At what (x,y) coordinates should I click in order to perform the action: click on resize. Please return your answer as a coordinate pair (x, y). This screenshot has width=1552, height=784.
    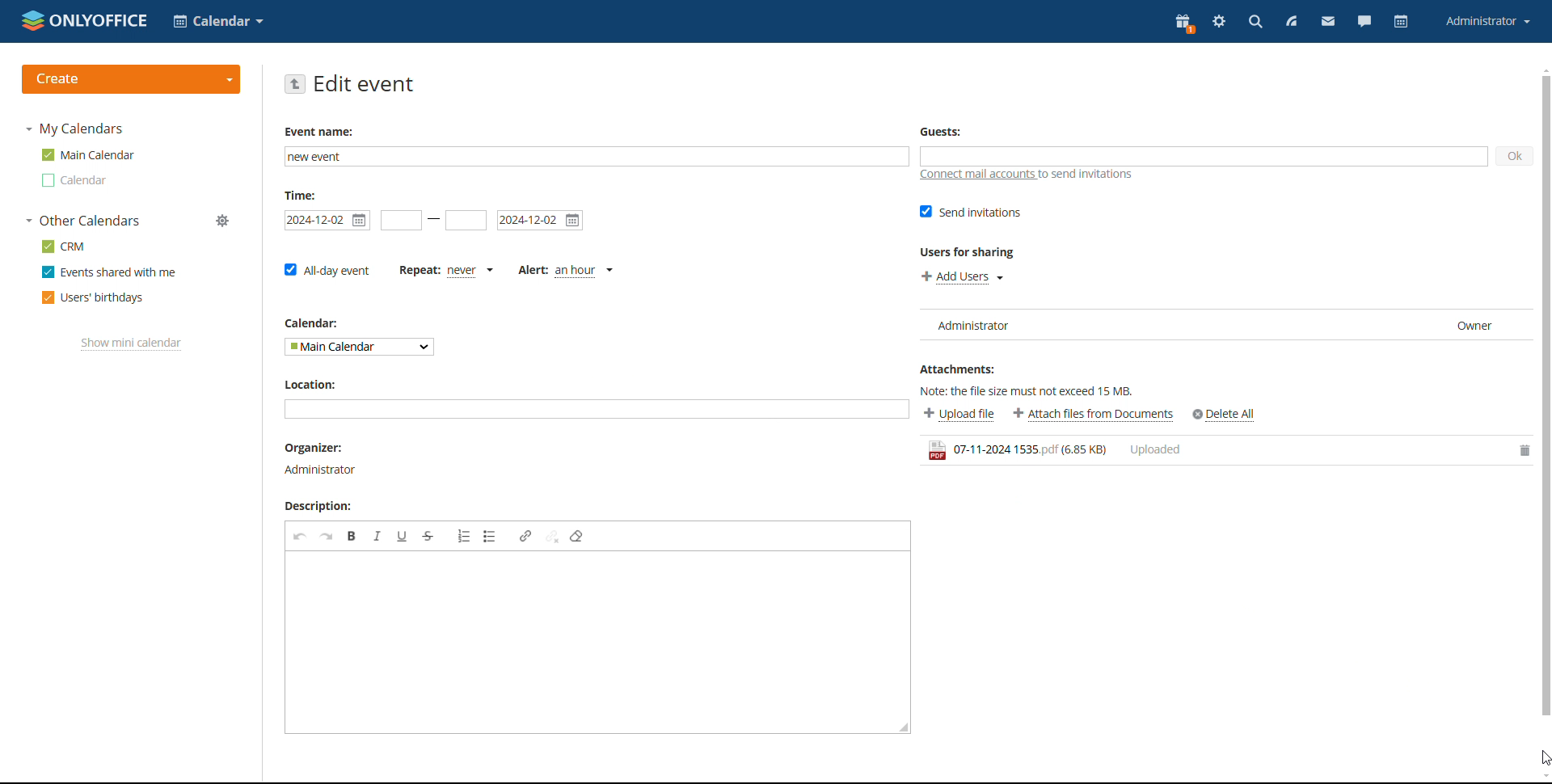
    Looking at the image, I should click on (905, 727).